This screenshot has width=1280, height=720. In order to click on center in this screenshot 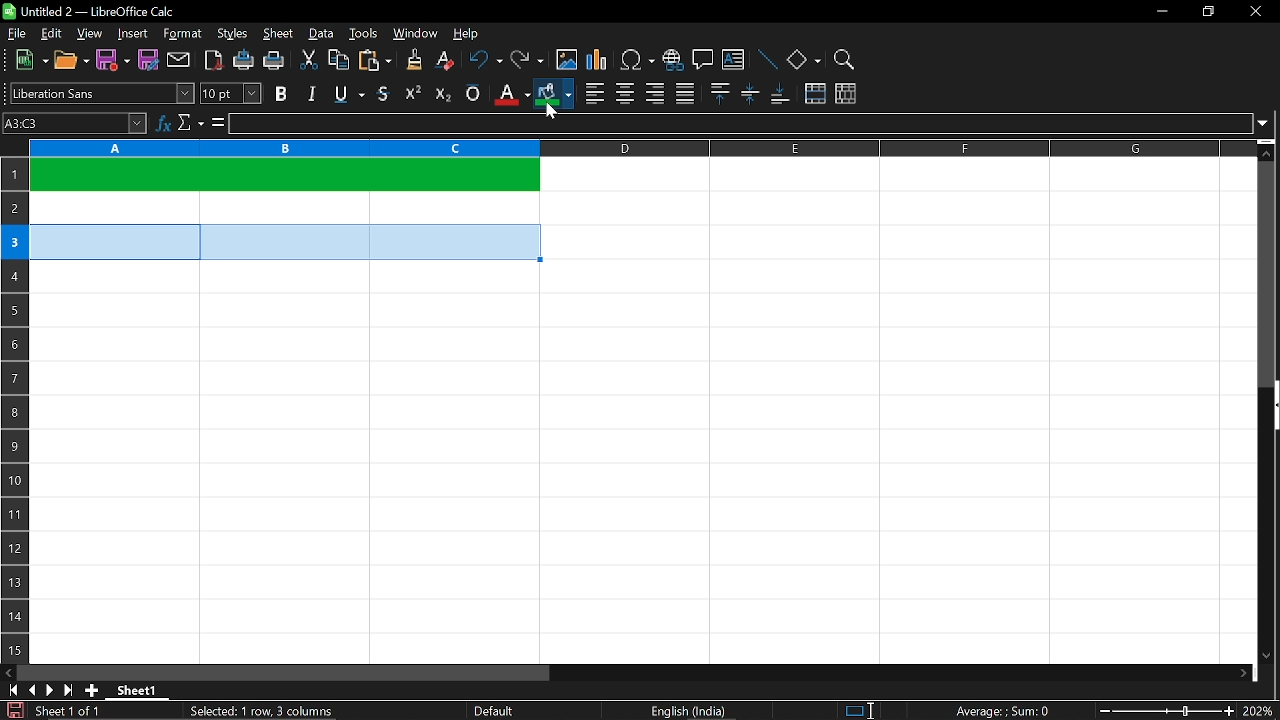, I will do `click(625, 93)`.